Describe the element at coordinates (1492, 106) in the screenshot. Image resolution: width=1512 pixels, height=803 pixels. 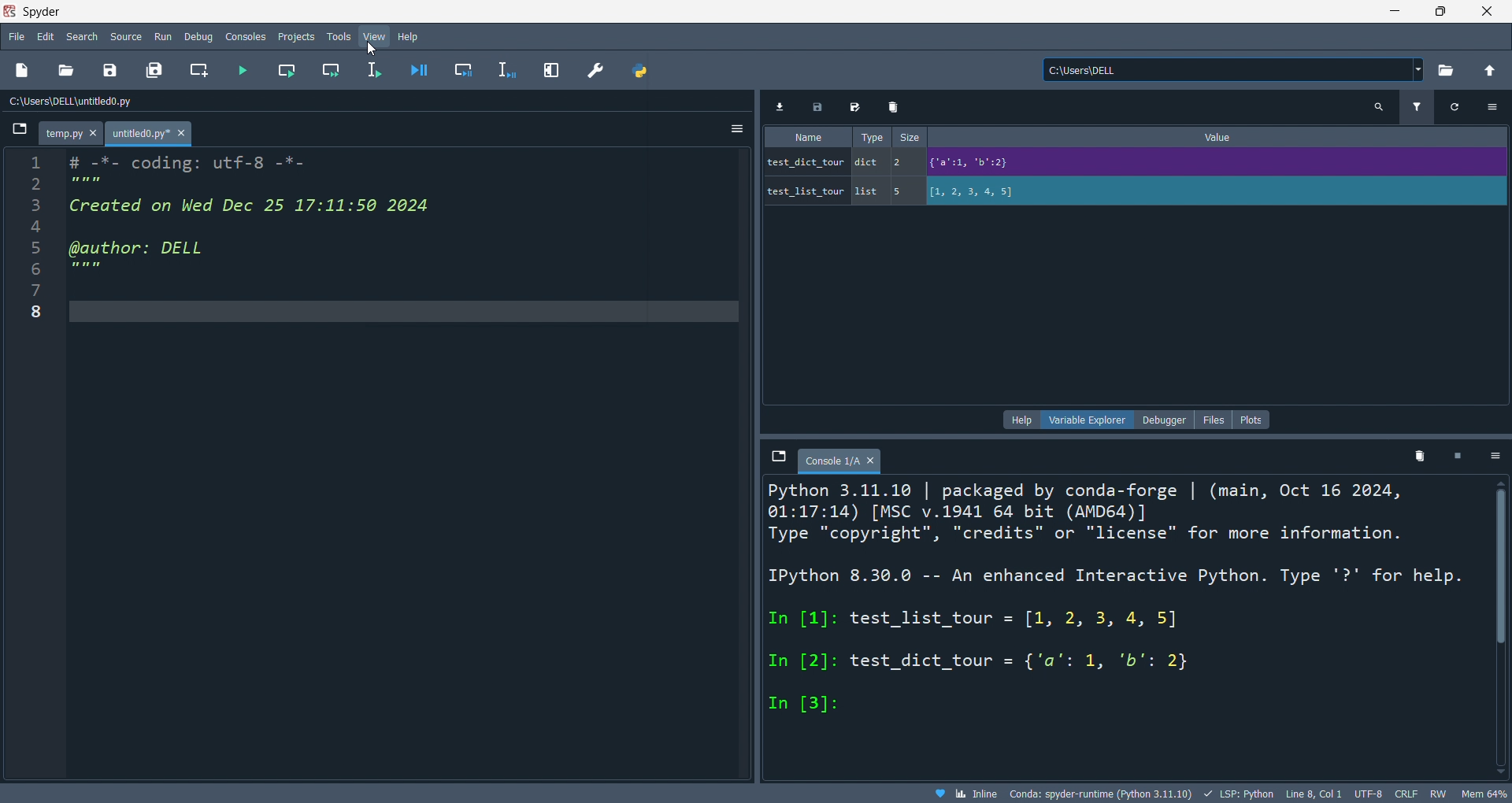
I see `options` at that location.